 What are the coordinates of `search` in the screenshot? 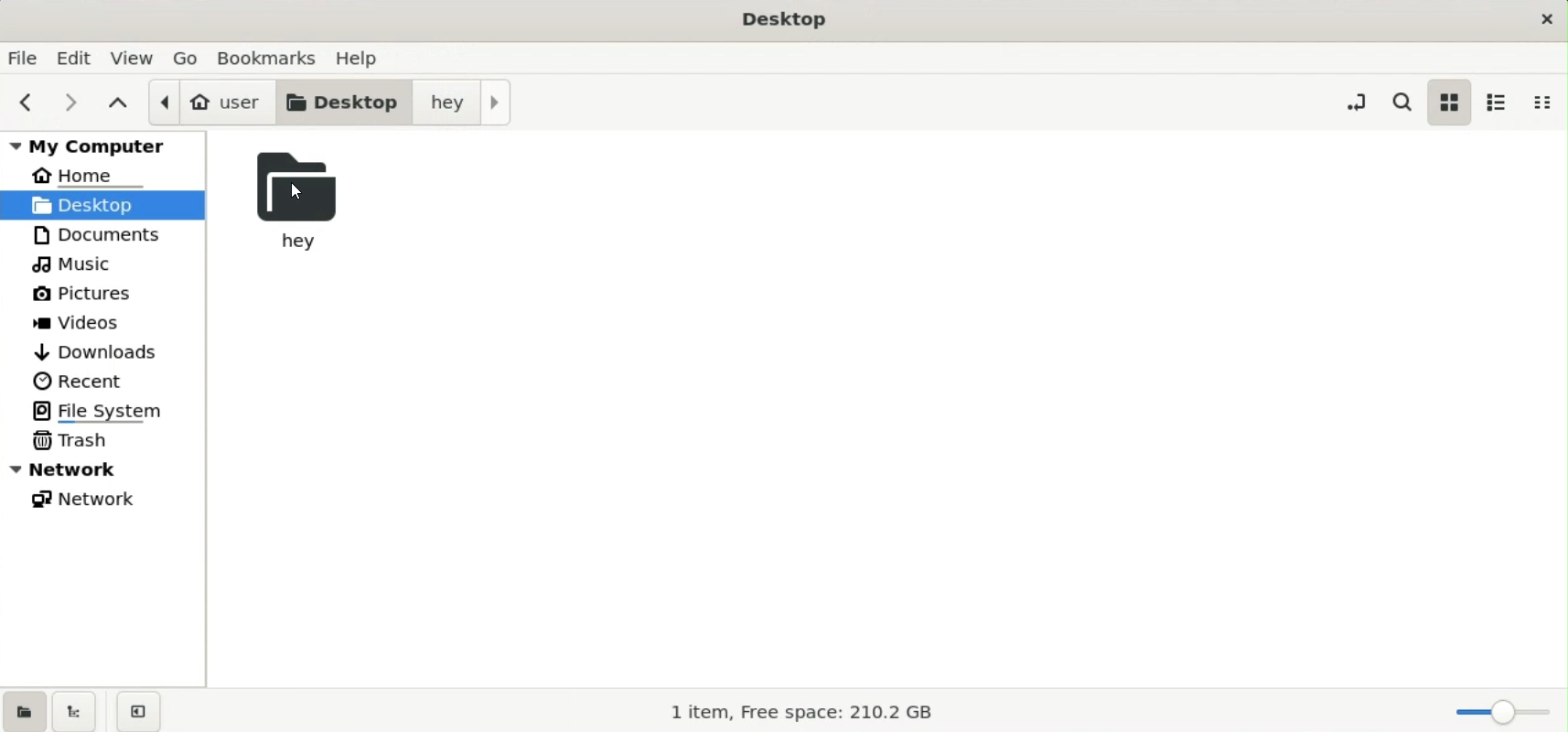 It's located at (1406, 102).